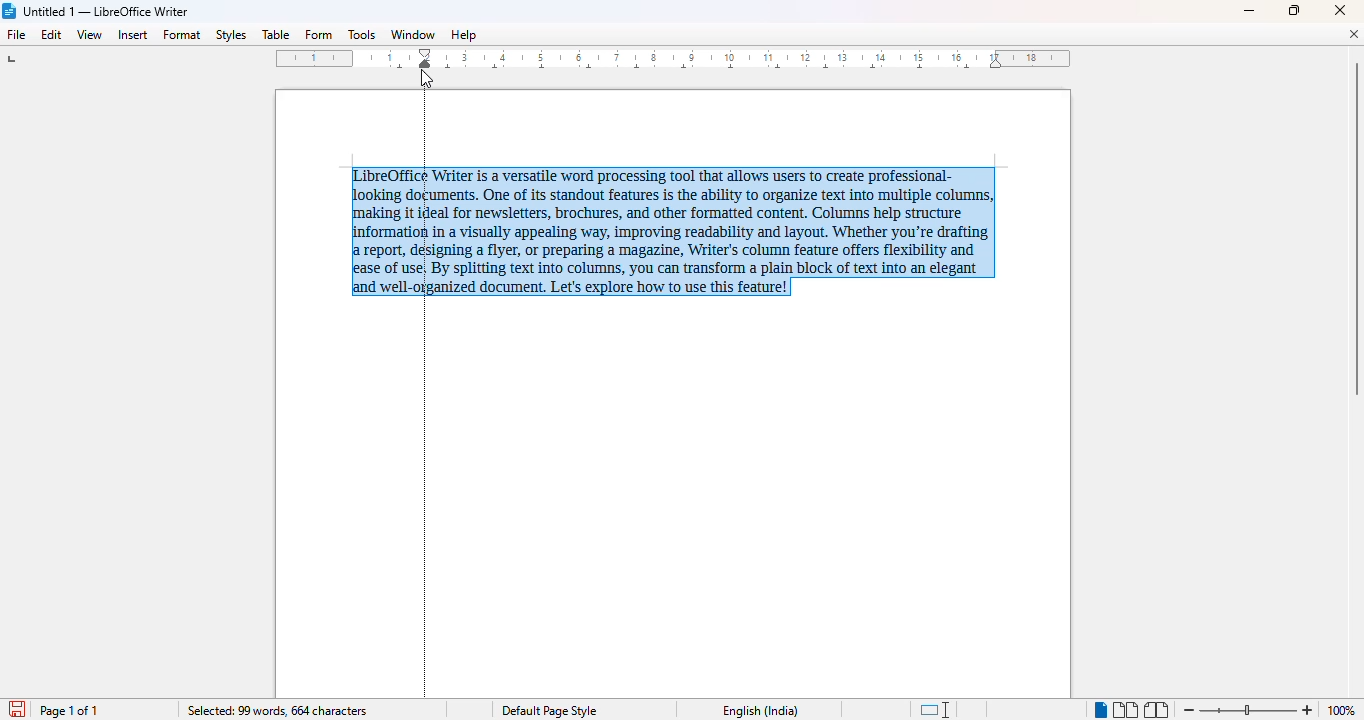 Image resolution: width=1364 pixels, height=720 pixels. I want to click on edit, so click(52, 34).